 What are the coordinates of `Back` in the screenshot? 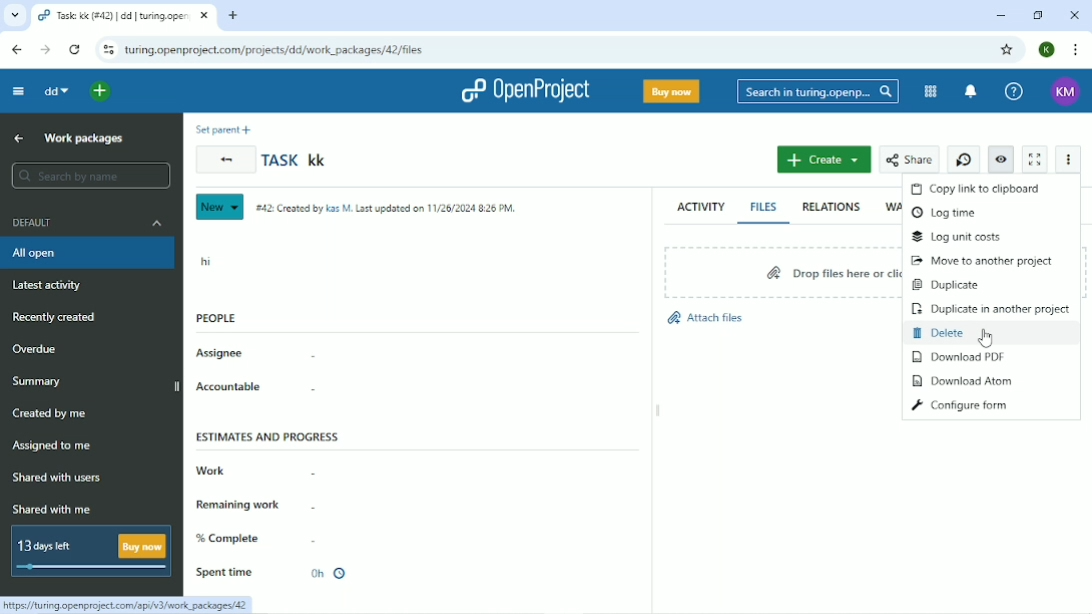 It's located at (16, 49).